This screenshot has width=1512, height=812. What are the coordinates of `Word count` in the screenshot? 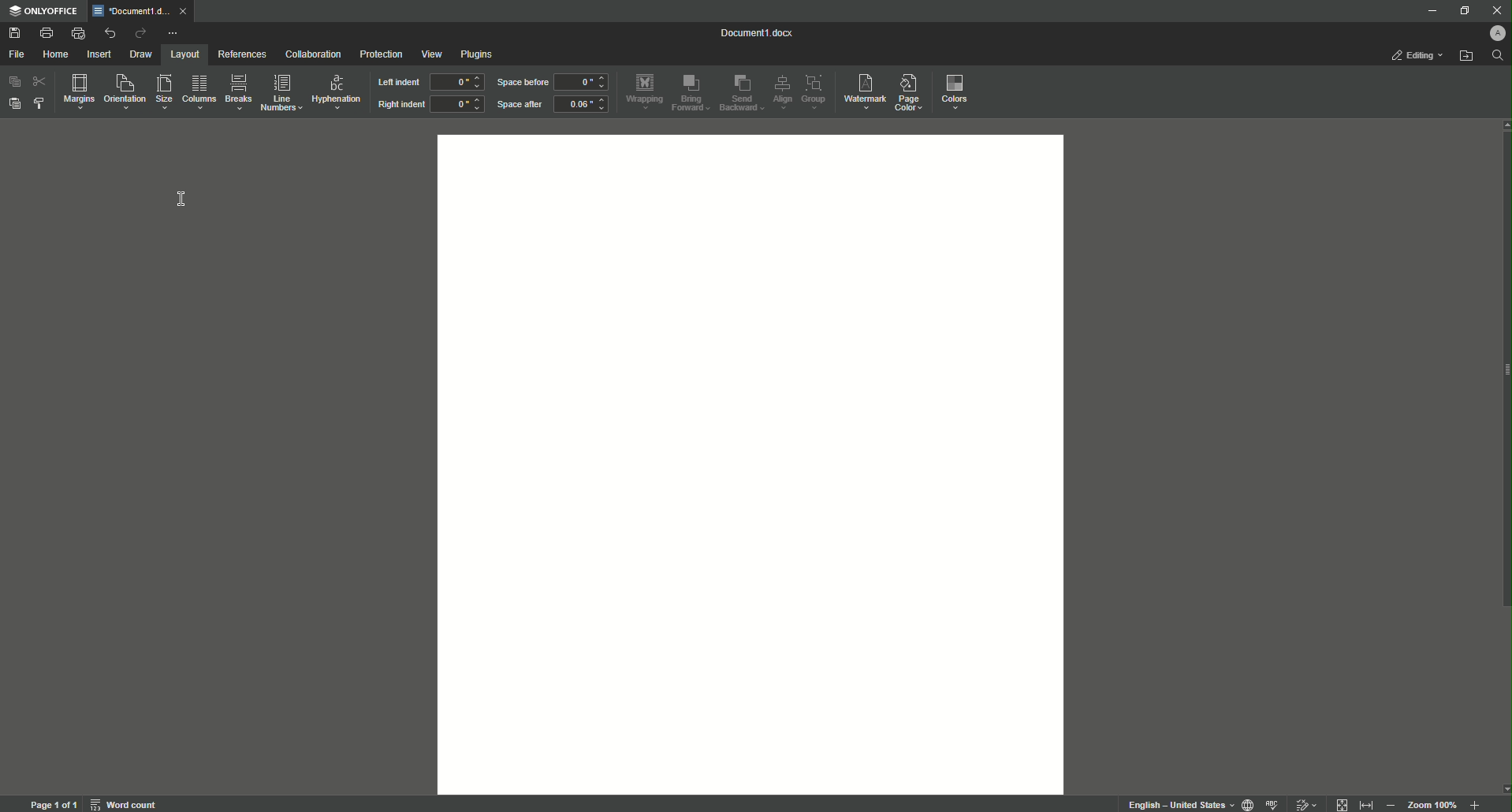 It's located at (125, 804).